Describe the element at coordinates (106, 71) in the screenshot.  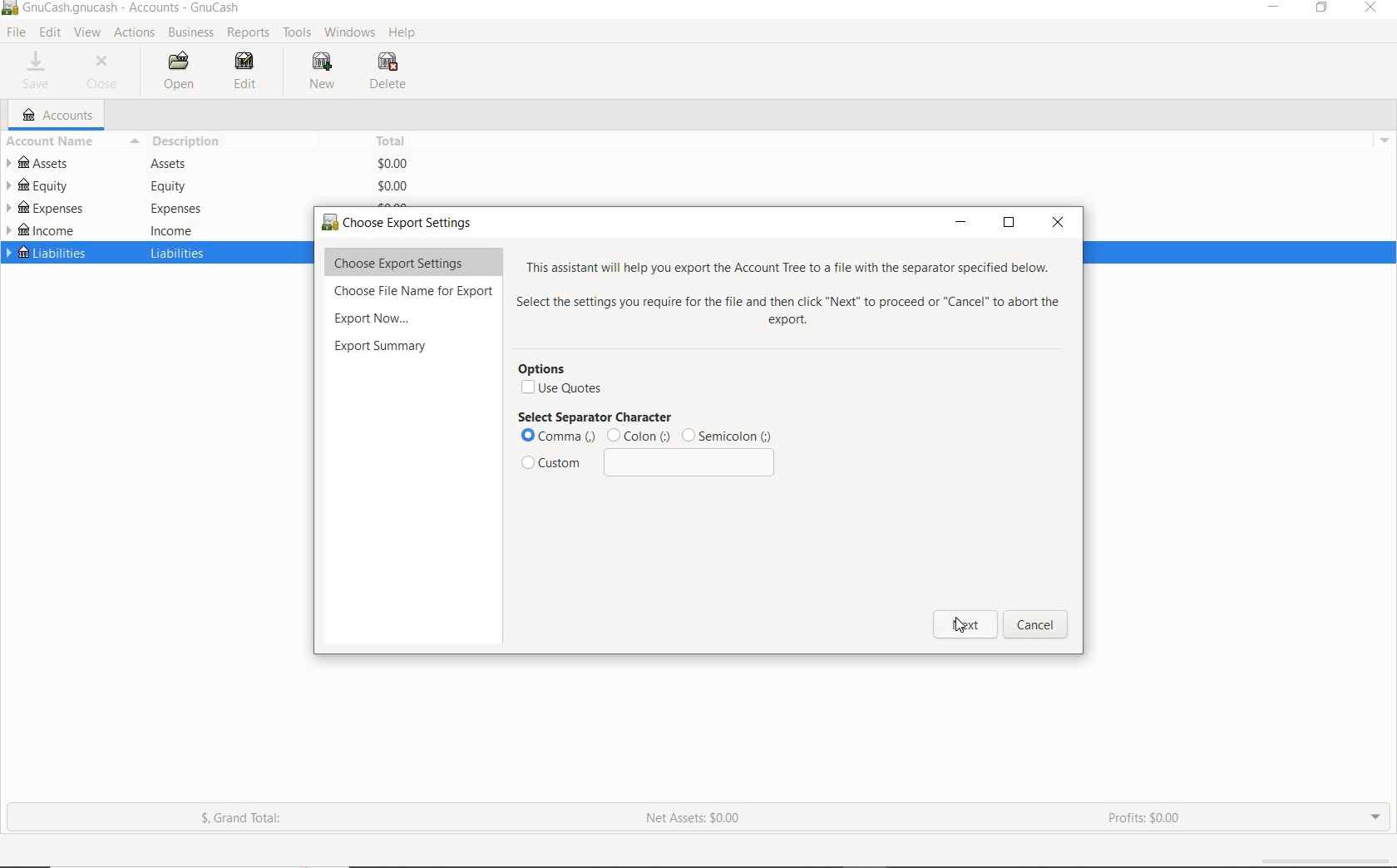
I see `CLOSE` at that location.